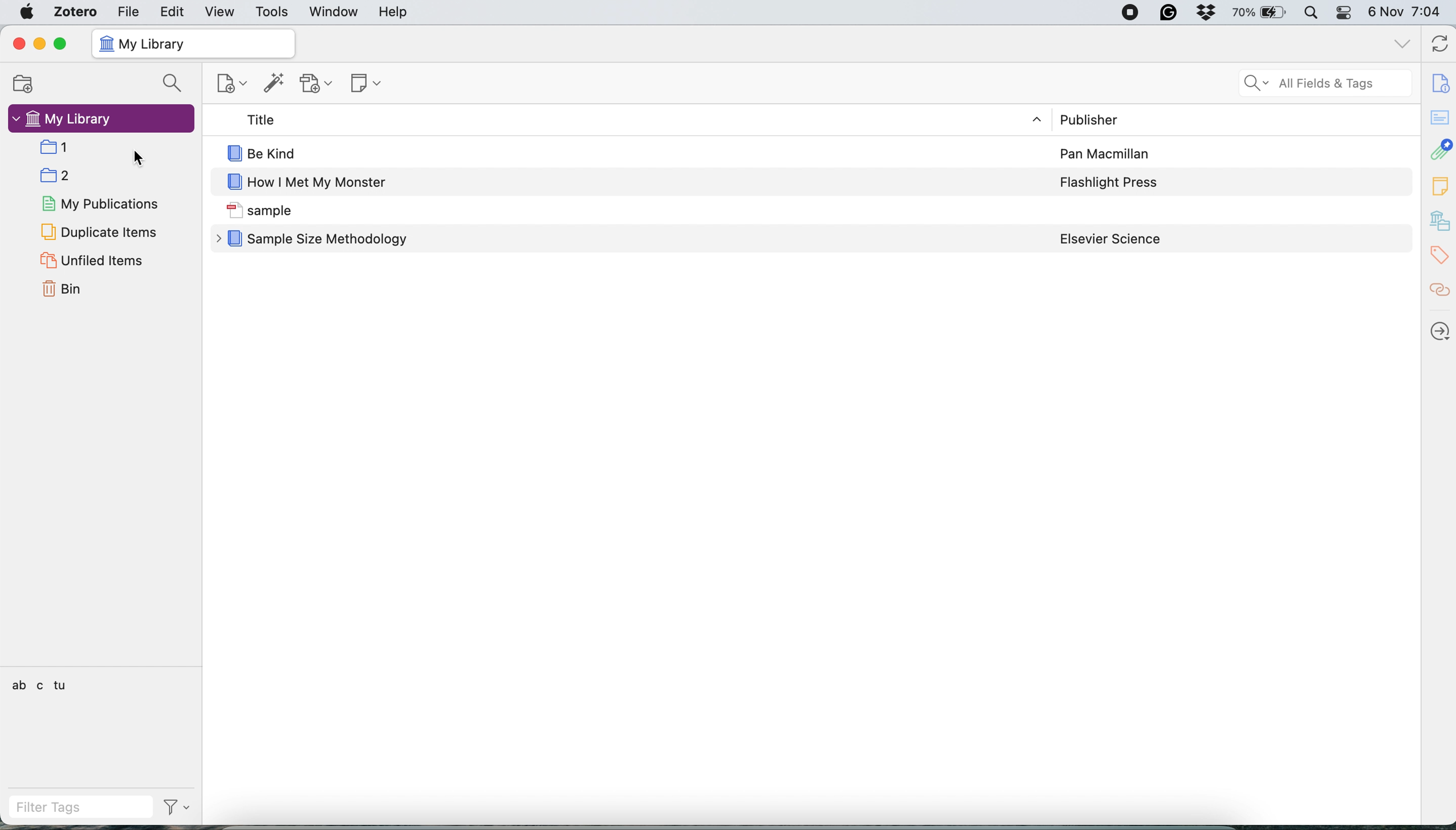  Describe the element at coordinates (365, 85) in the screenshot. I see `note` at that location.